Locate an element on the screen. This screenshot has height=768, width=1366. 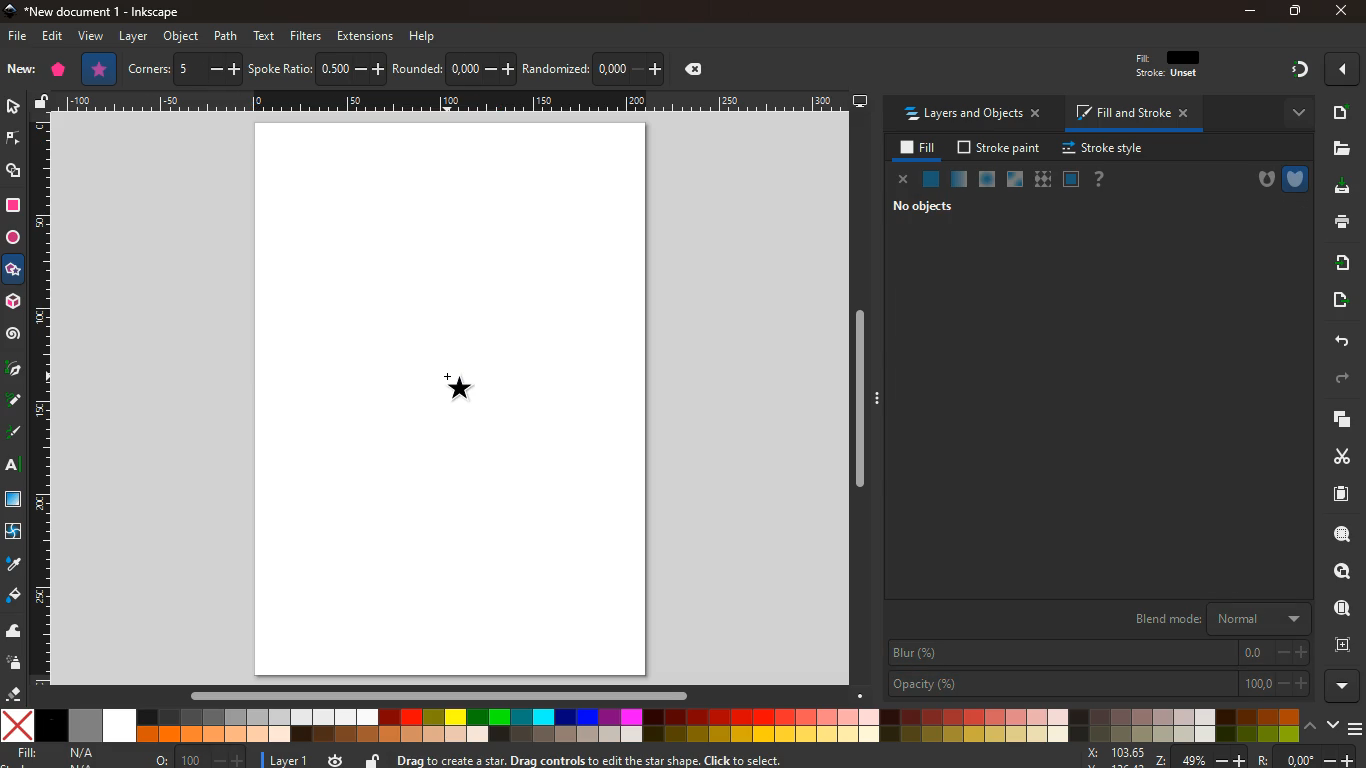
flat color is located at coordinates (922, 221).